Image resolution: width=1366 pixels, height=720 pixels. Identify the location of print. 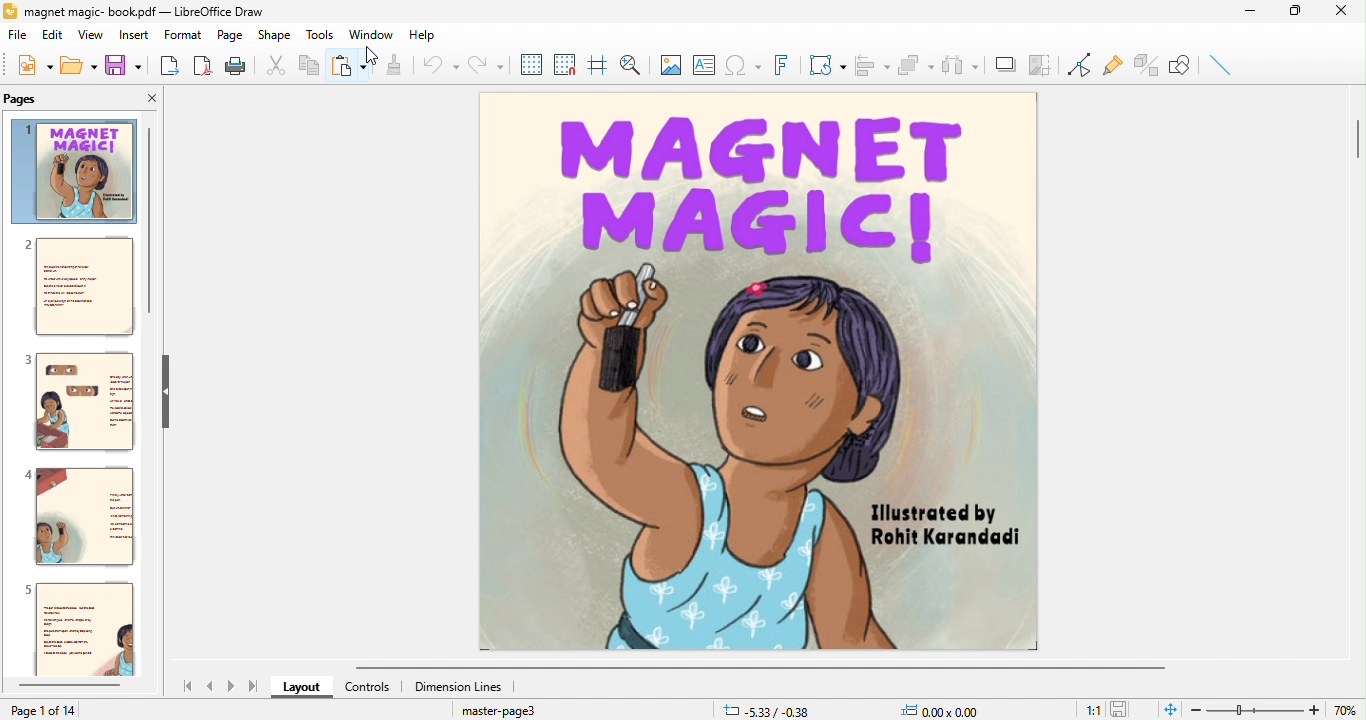
(238, 68).